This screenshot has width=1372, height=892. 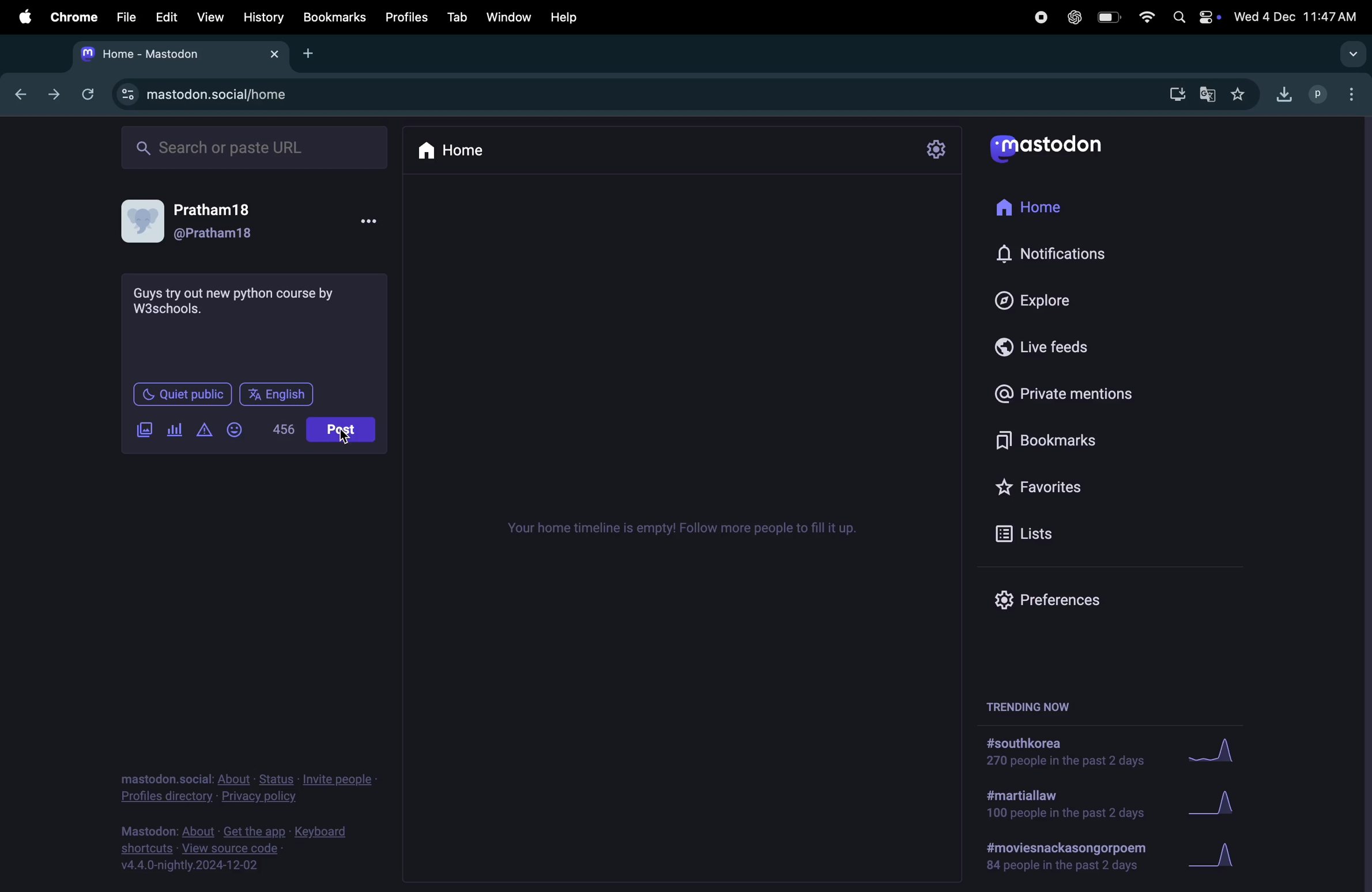 What do you see at coordinates (1216, 749) in the screenshot?
I see `Graph` at bounding box center [1216, 749].